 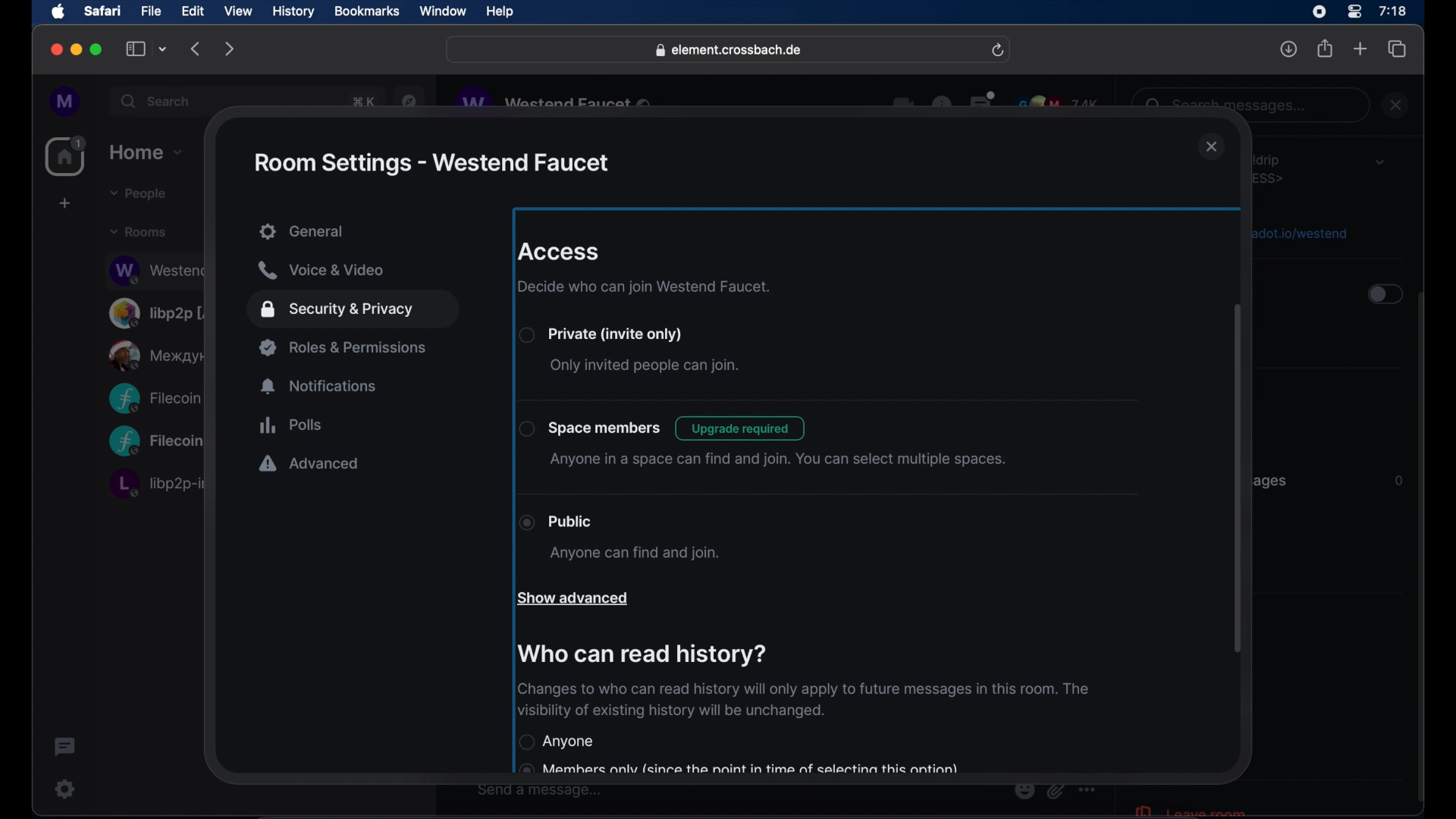 I want to click on window, so click(x=443, y=11).